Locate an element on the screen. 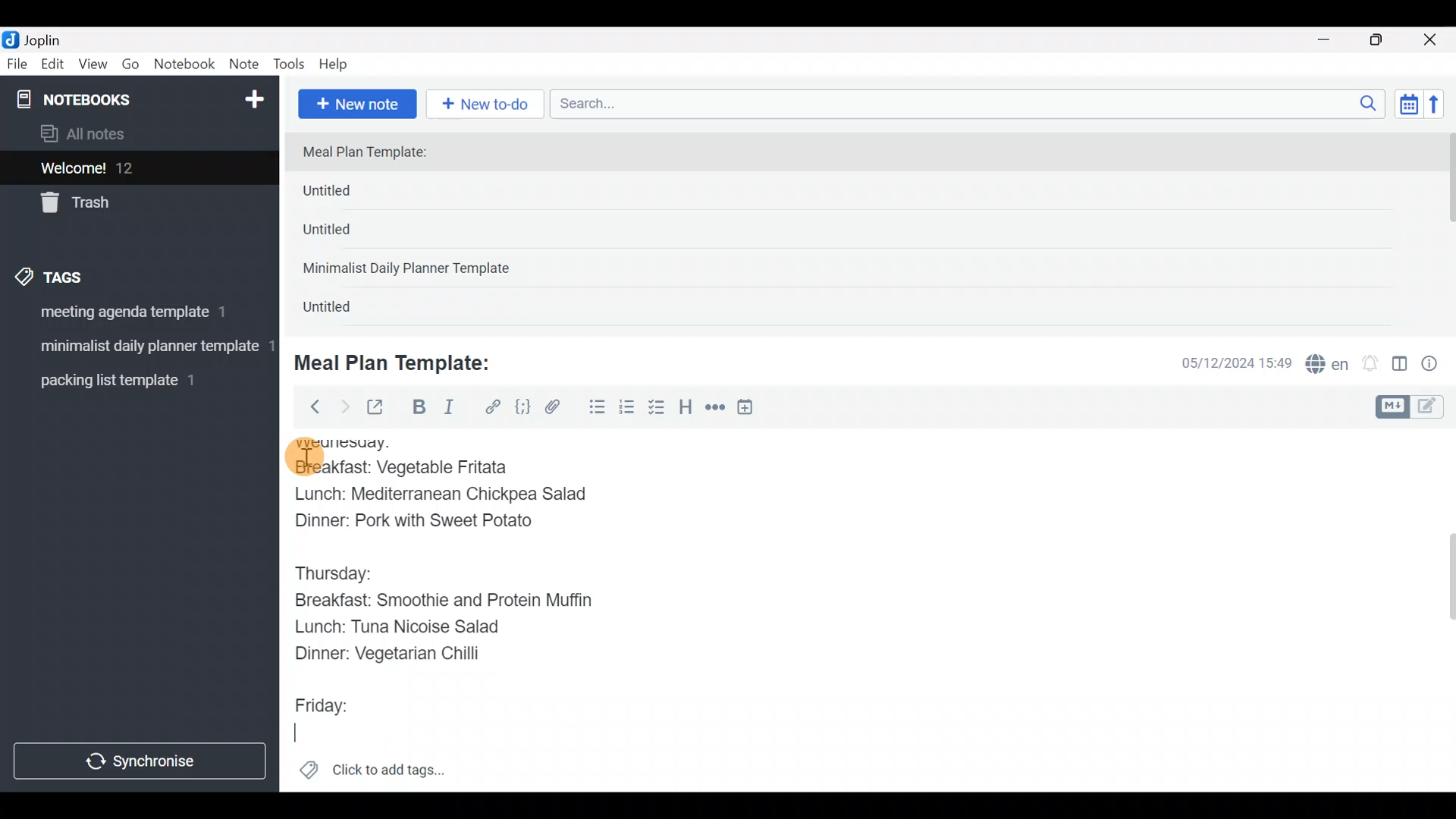 This screenshot has height=819, width=1456. Toggle external editing is located at coordinates (381, 408).